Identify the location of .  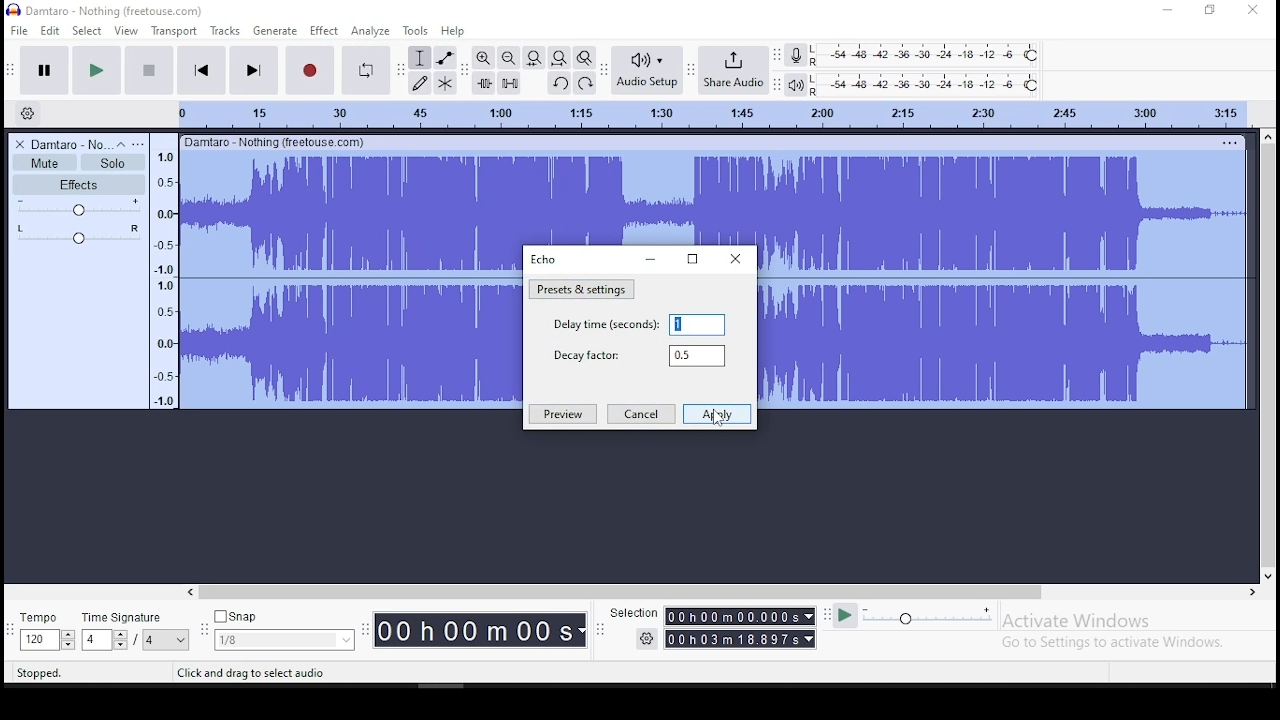
(604, 69).